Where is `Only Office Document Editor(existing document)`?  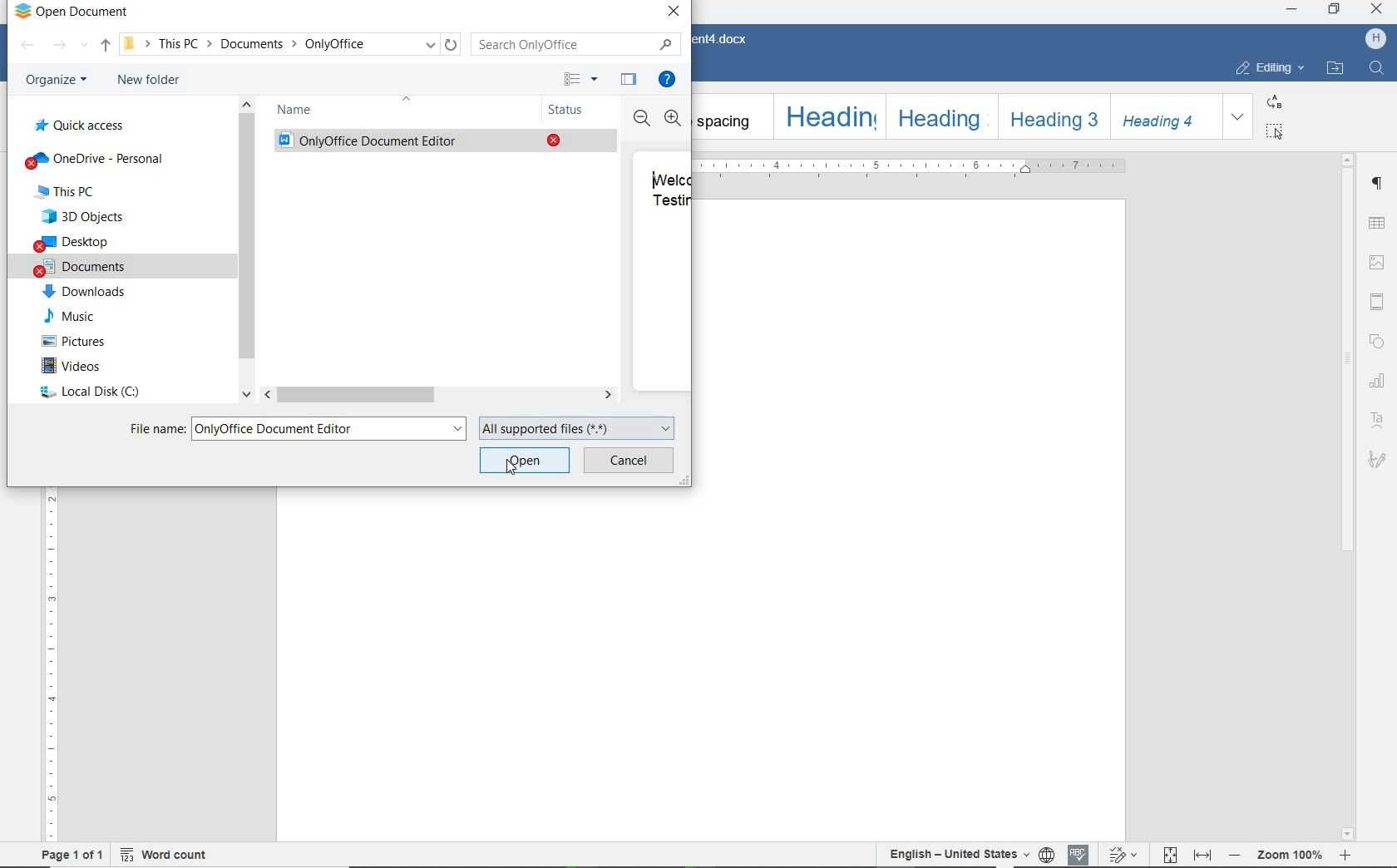
Only Office Document Editor(existing document) is located at coordinates (384, 144).